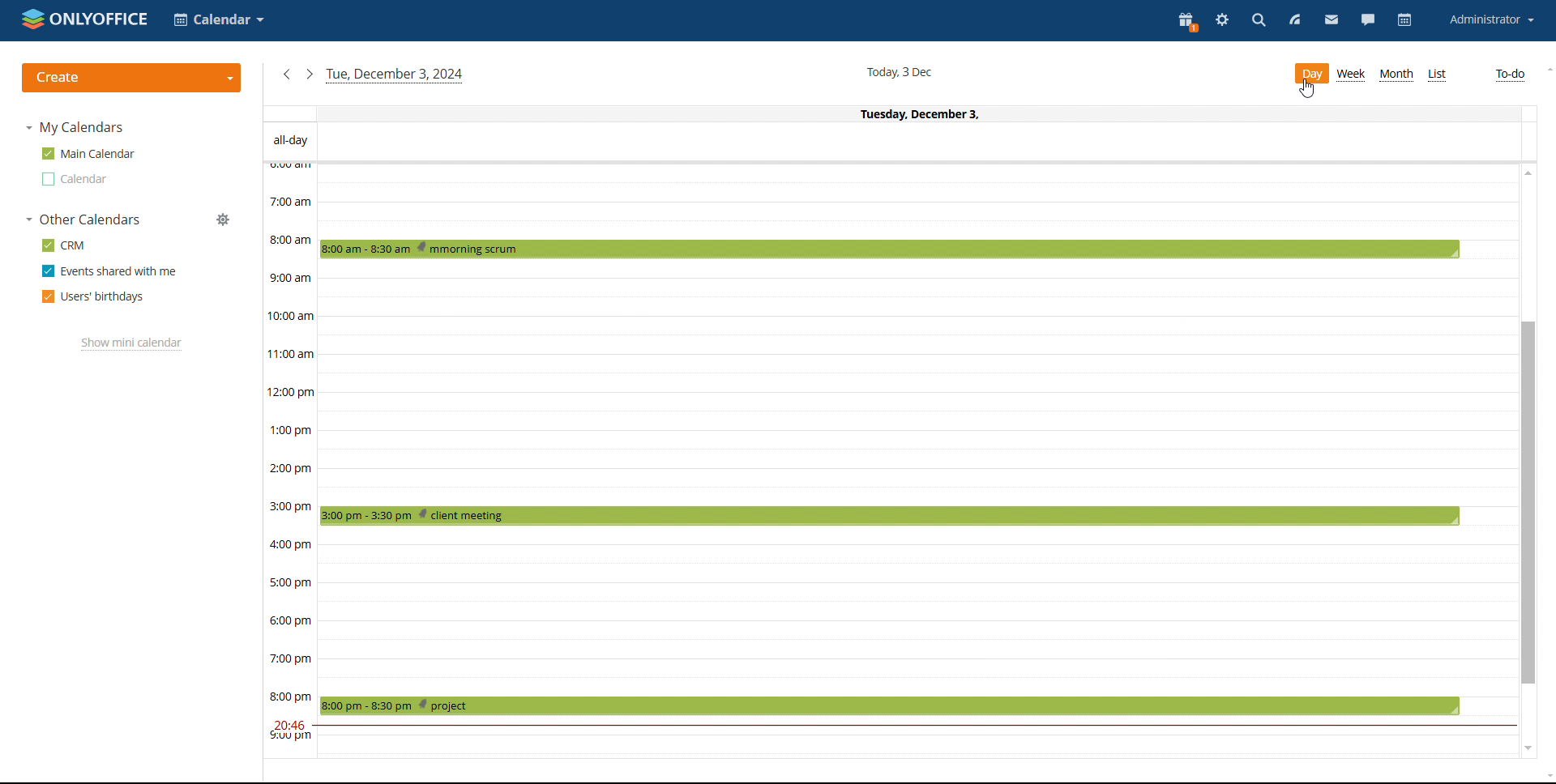 This screenshot has width=1556, height=784. What do you see at coordinates (84, 18) in the screenshot?
I see `logo` at bounding box center [84, 18].